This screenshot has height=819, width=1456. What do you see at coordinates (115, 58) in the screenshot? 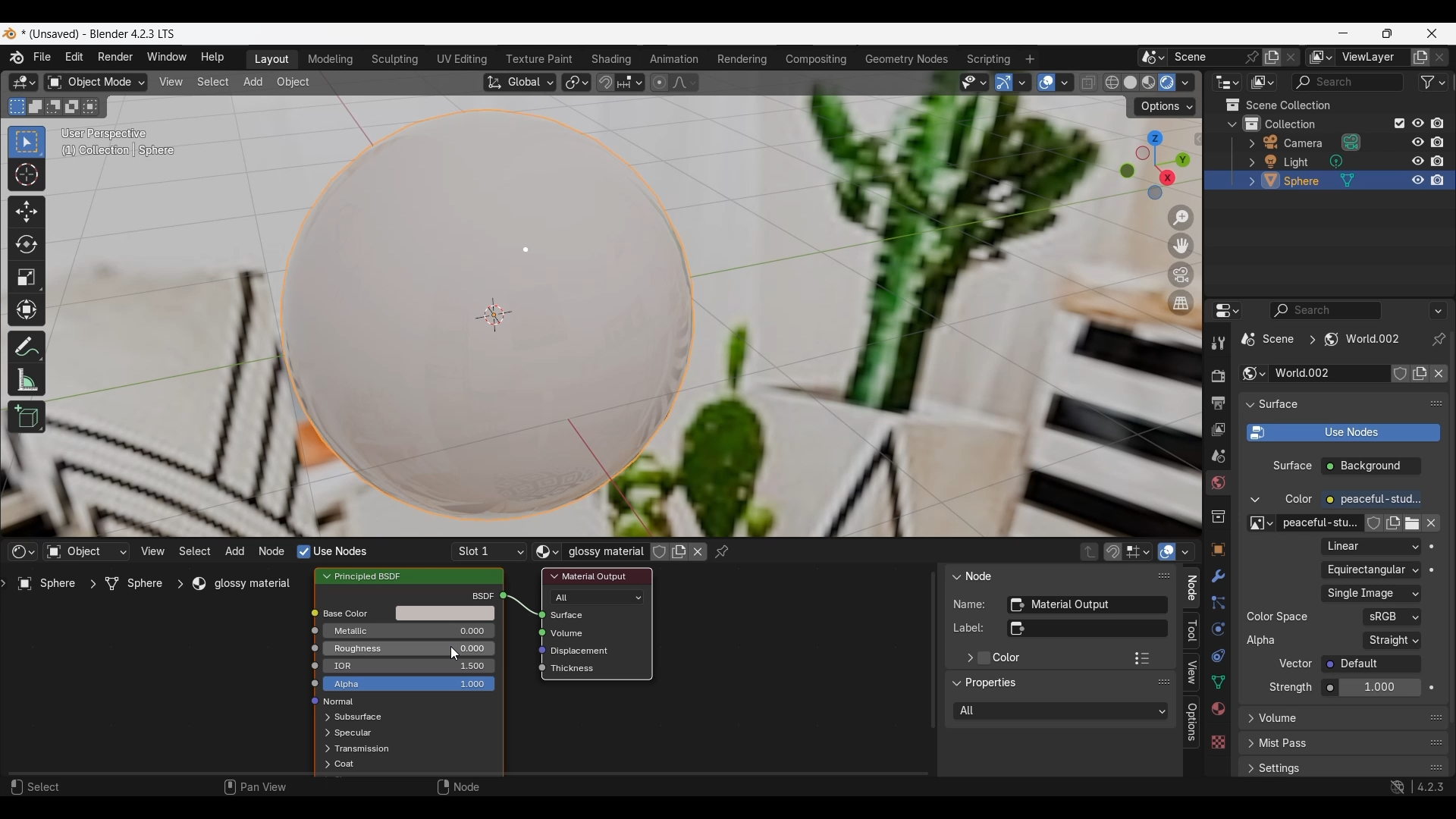
I see `Render menu` at bounding box center [115, 58].